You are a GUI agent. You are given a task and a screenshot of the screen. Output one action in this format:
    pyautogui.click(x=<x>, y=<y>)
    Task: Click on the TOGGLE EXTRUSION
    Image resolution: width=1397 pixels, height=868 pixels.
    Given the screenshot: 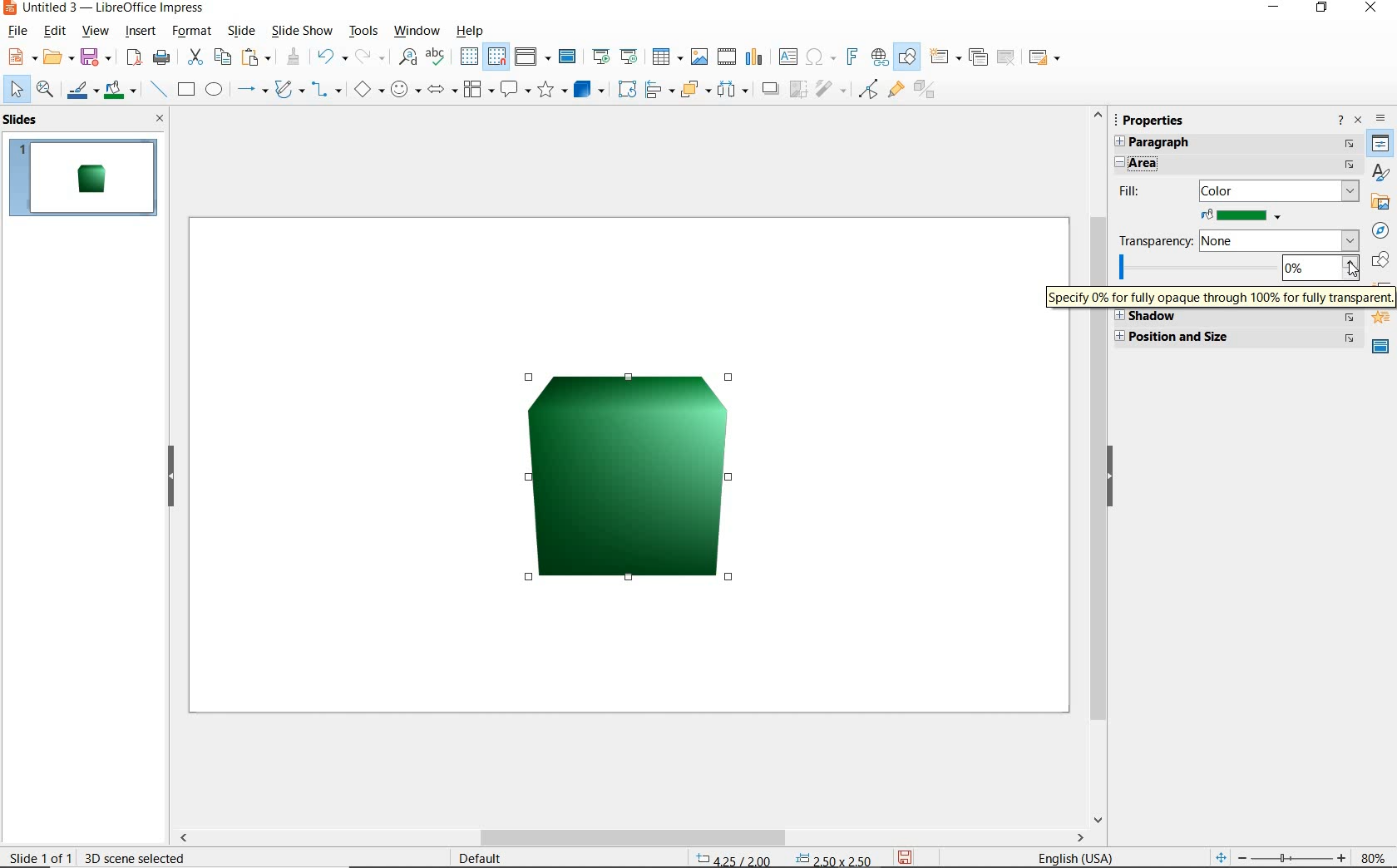 What is the action you would take?
    pyautogui.click(x=926, y=91)
    